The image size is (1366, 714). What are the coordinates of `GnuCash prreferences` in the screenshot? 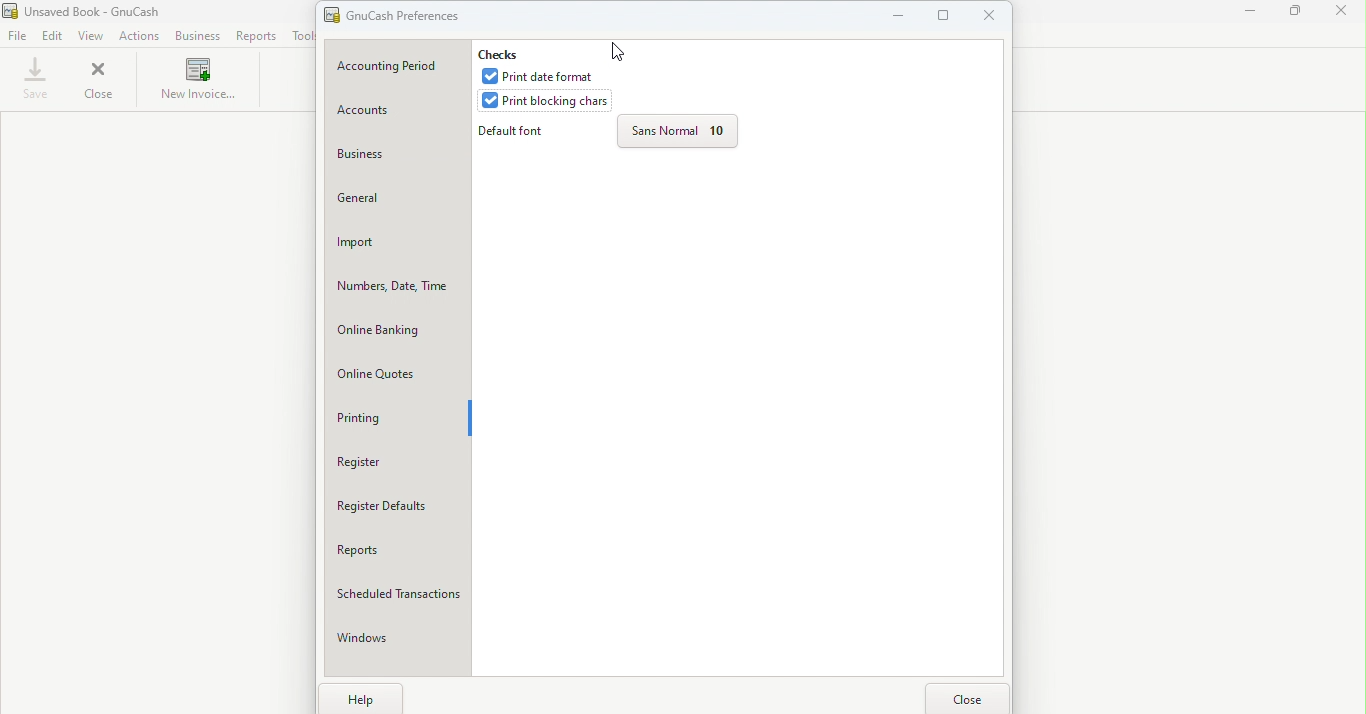 It's located at (405, 15).